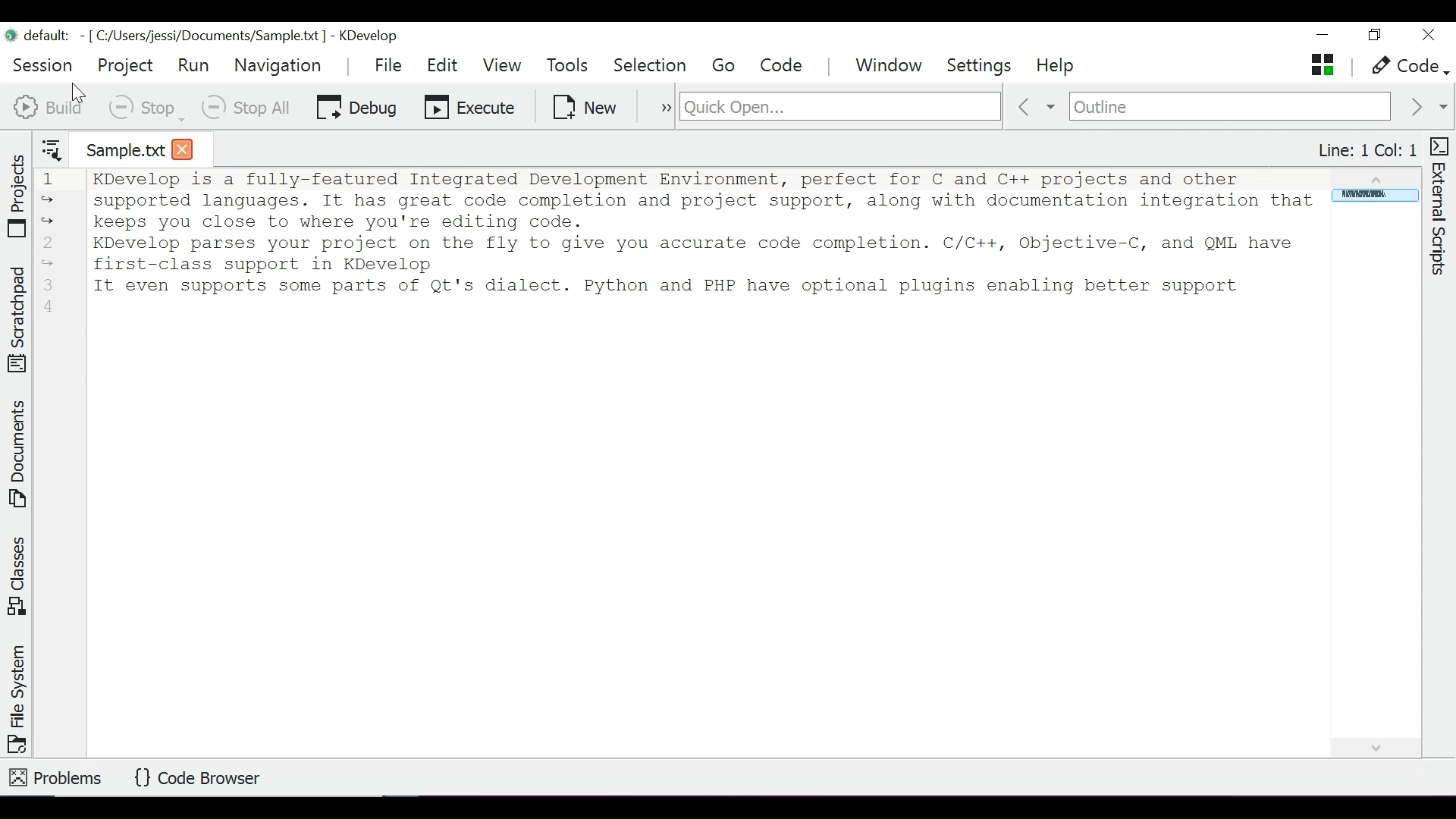 The image size is (1456, 819). Describe the element at coordinates (726, 67) in the screenshot. I see `` at that location.